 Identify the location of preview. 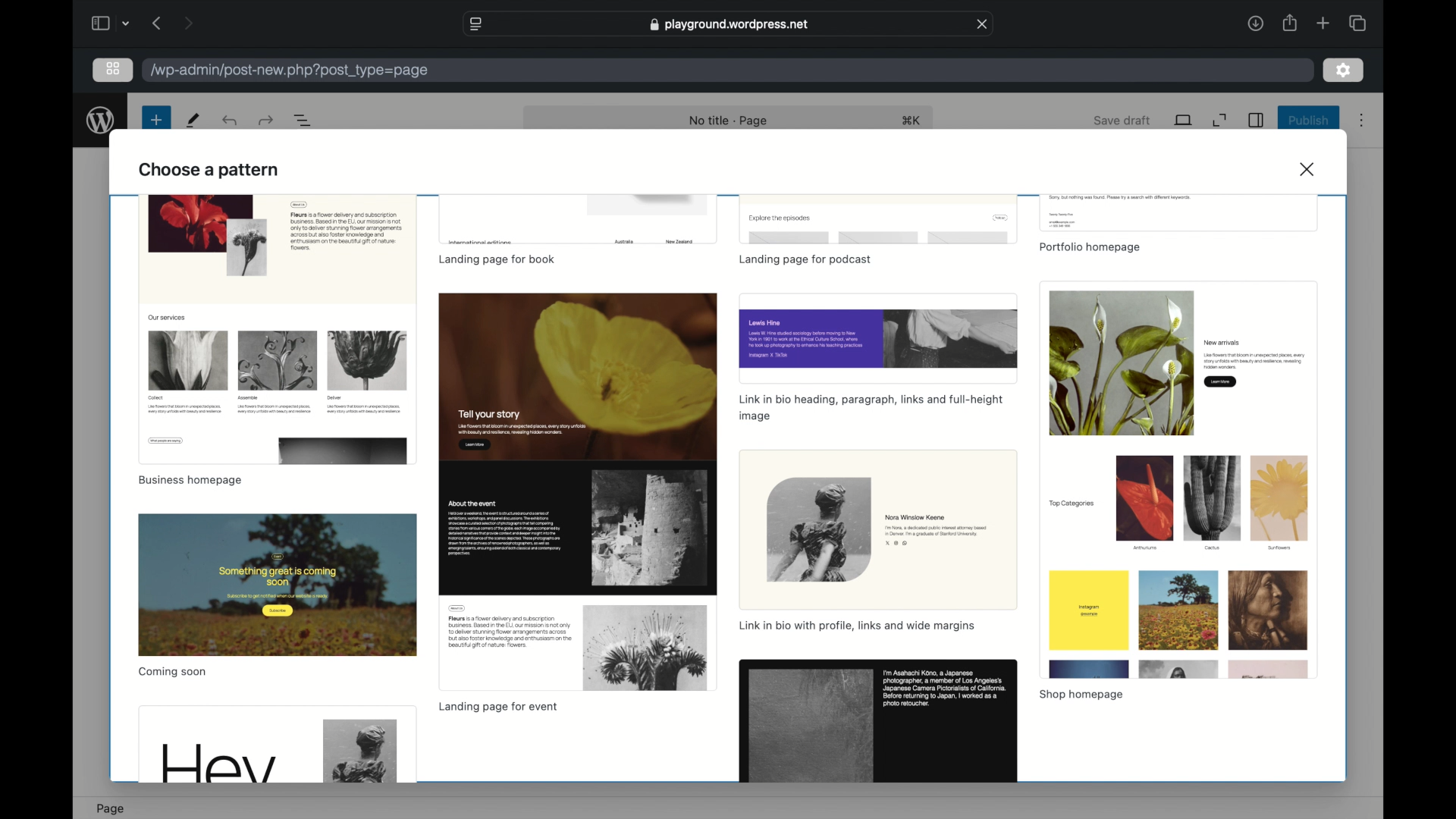
(278, 585).